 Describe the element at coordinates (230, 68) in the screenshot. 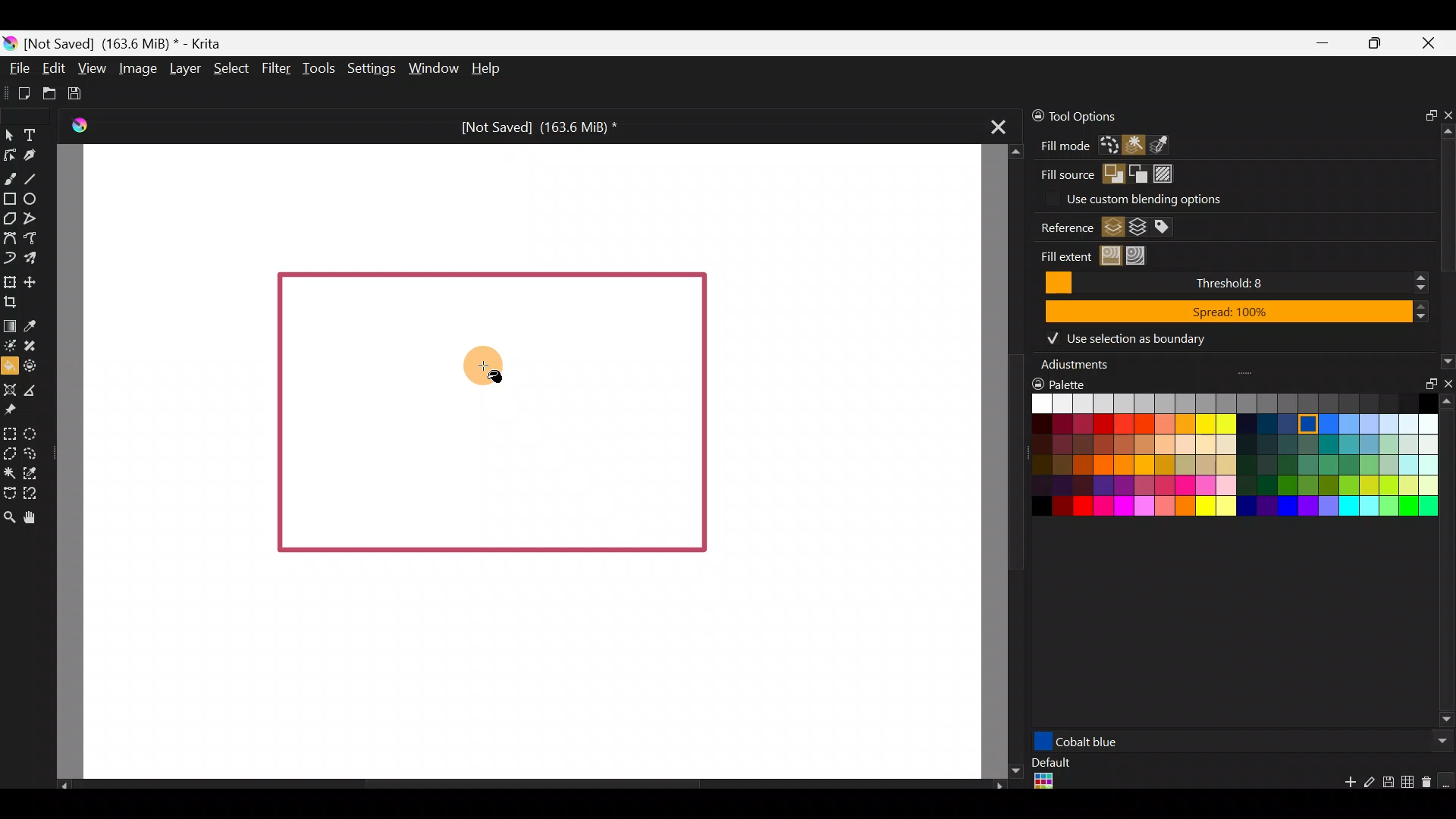

I see `Select` at that location.